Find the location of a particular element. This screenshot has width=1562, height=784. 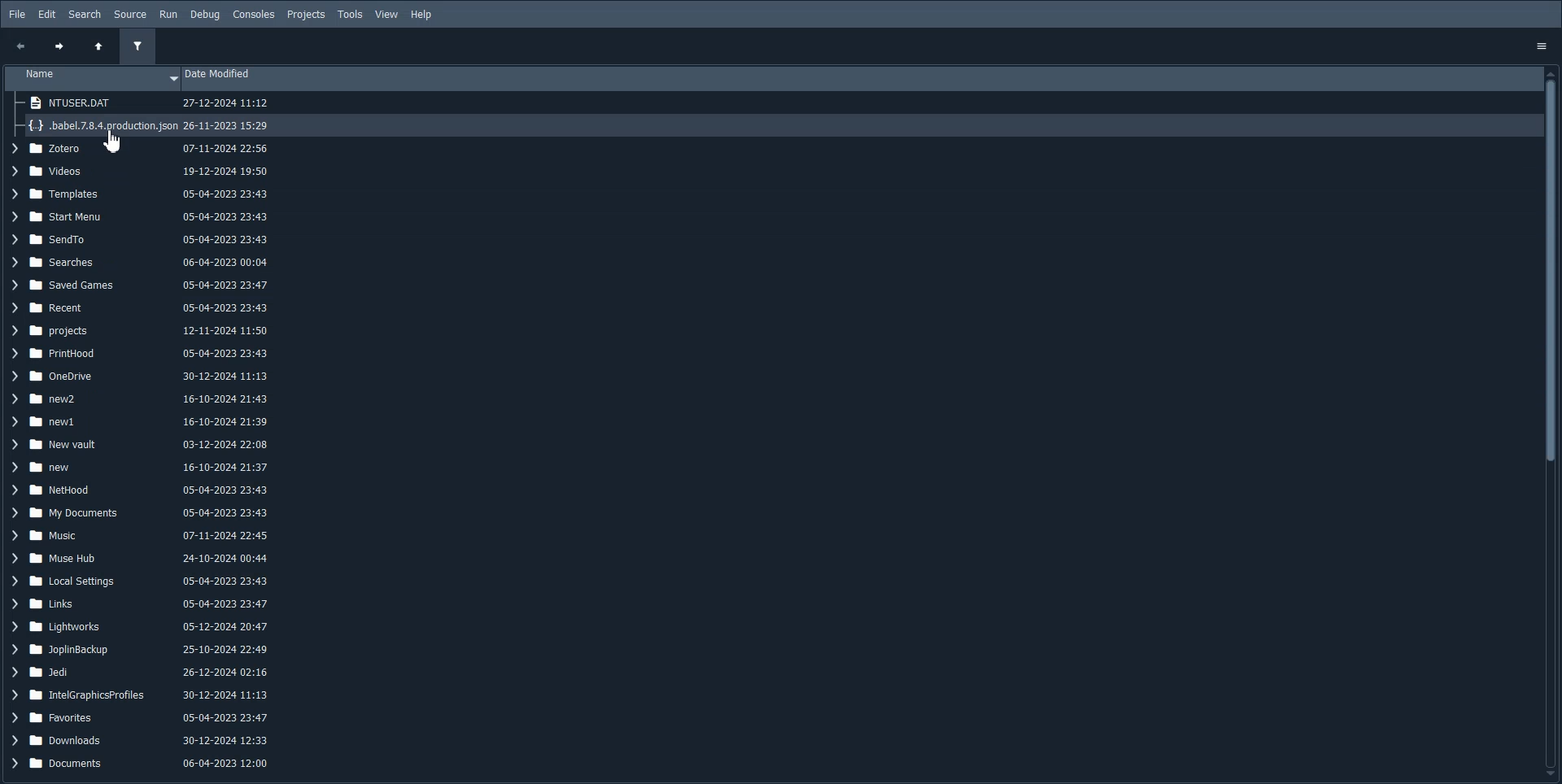

Run is located at coordinates (168, 14).